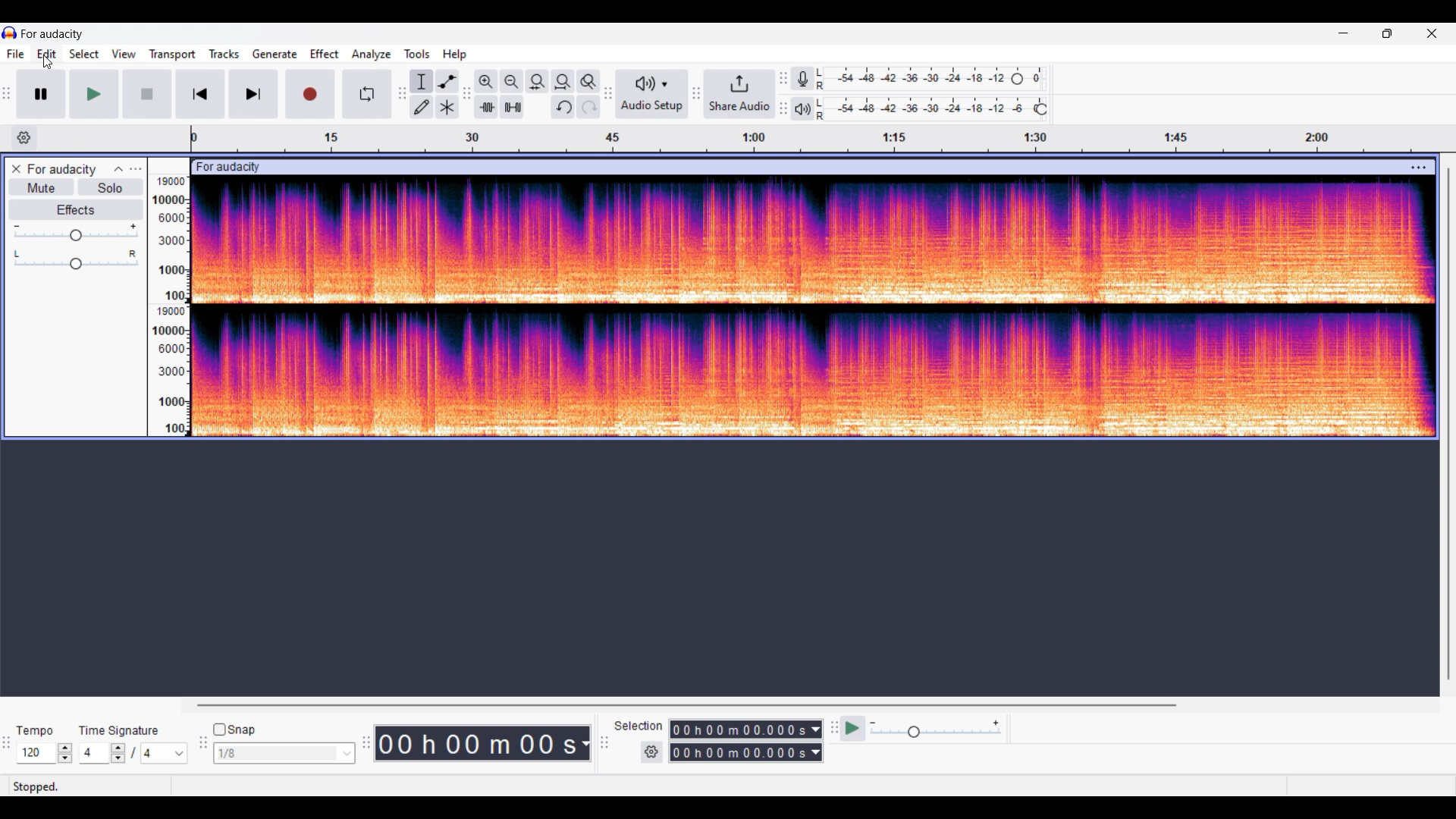  What do you see at coordinates (816, 741) in the screenshot?
I see `Selection duration measurement` at bounding box center [816, 741].